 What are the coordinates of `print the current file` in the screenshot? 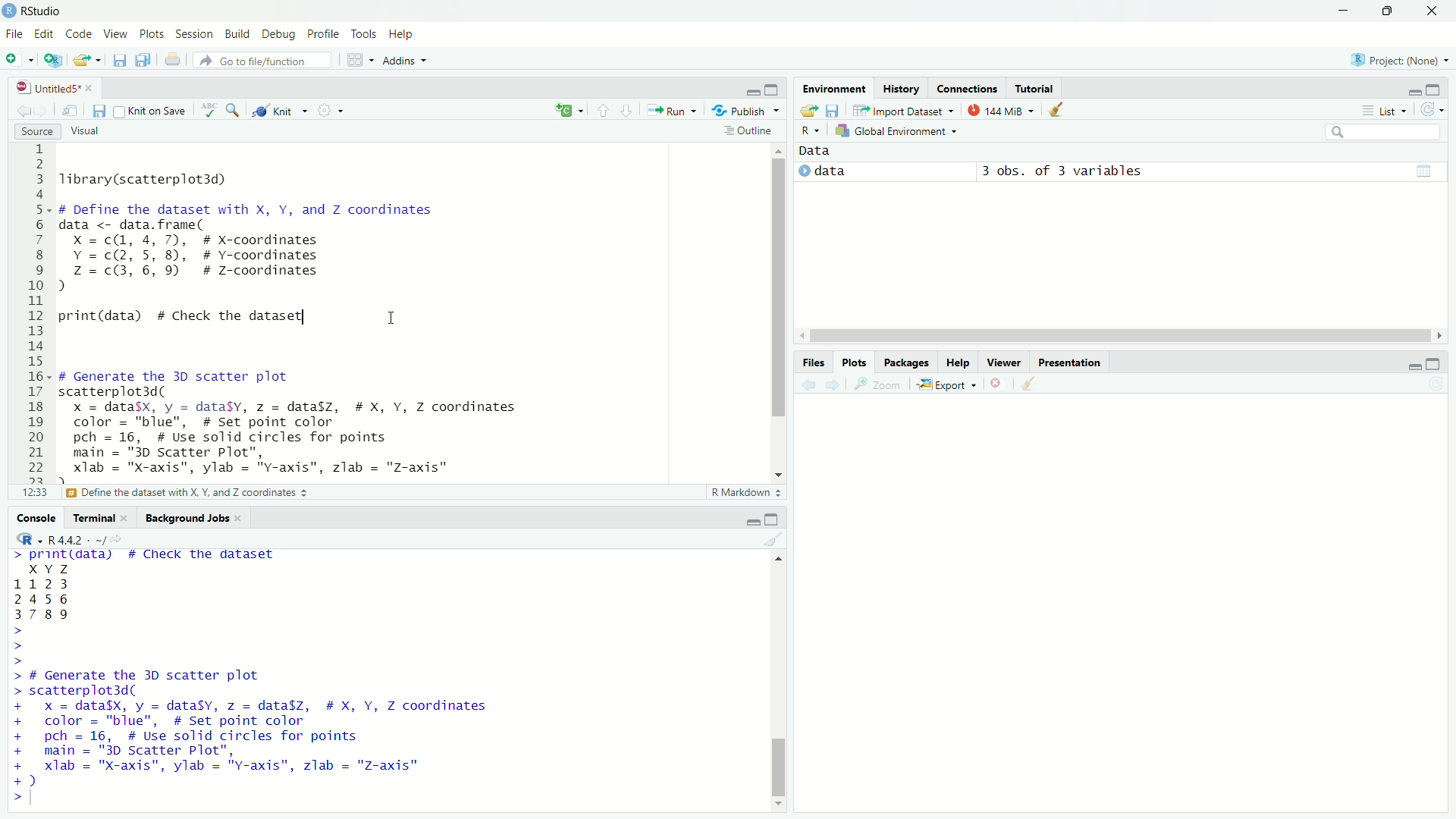 It's located at (171, 62).